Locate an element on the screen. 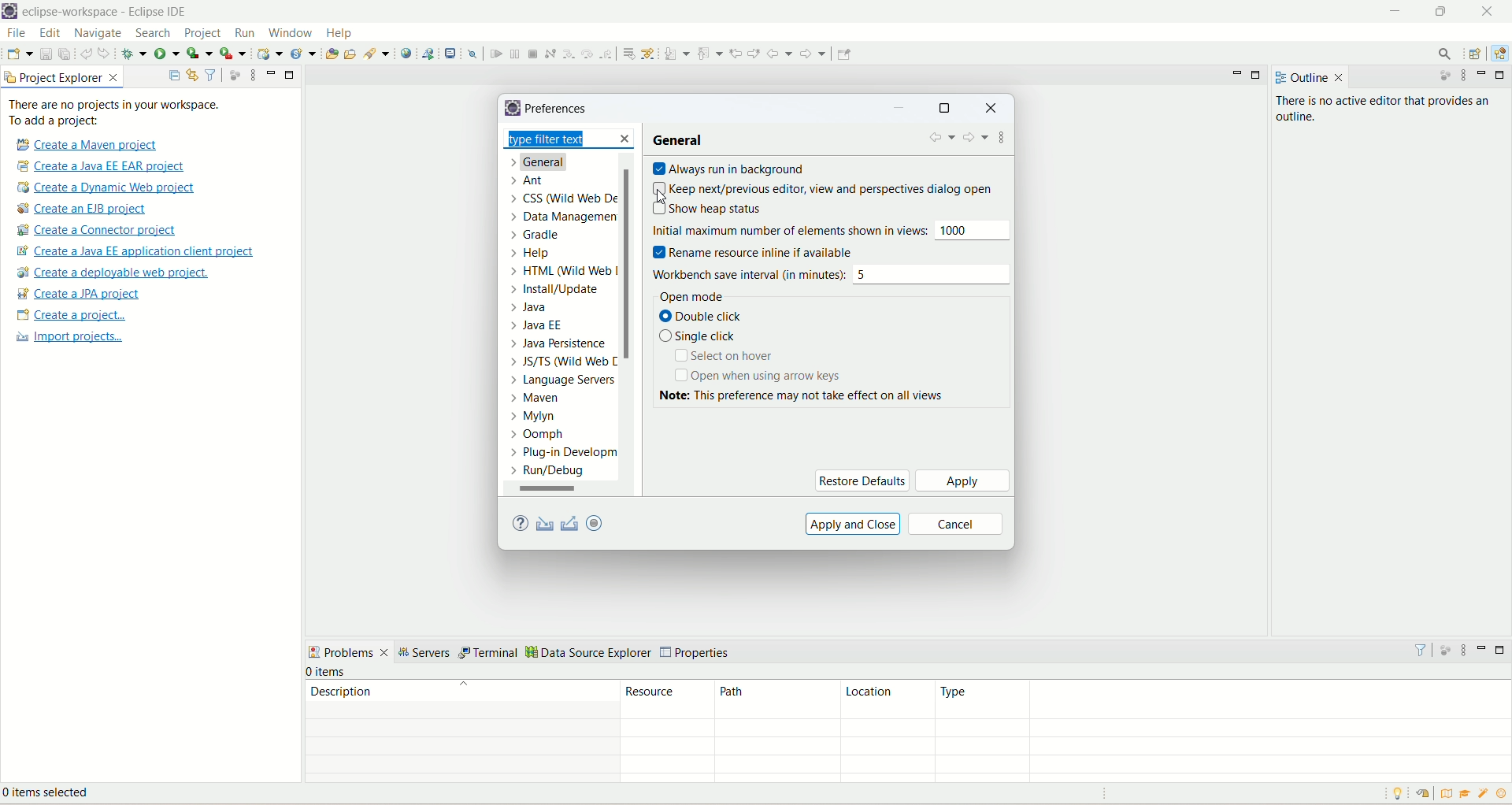  create a Java EE ER project is located at coordinates (105, 166).